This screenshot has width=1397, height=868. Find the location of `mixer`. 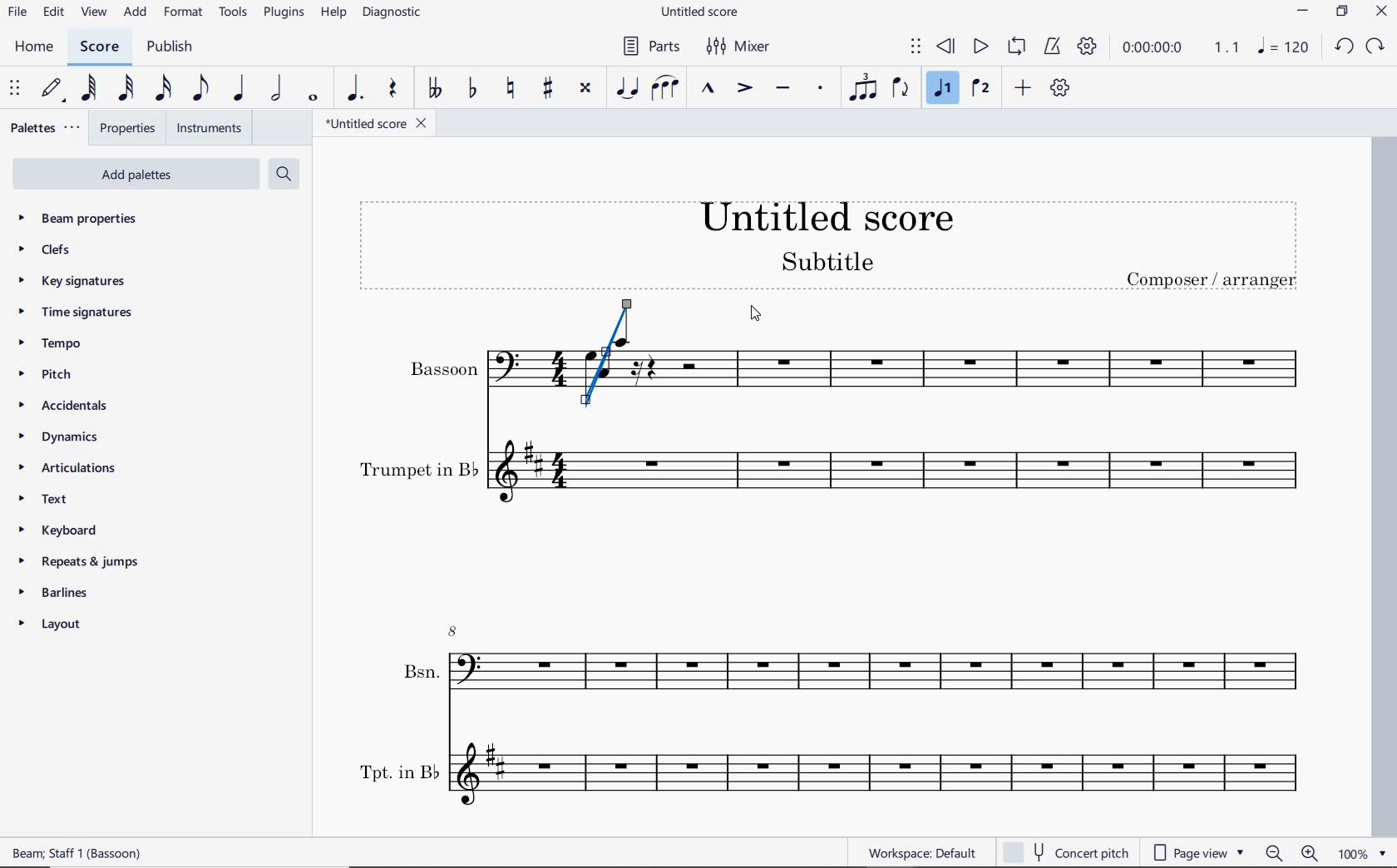

mixer is located at coordinates (739, 47).